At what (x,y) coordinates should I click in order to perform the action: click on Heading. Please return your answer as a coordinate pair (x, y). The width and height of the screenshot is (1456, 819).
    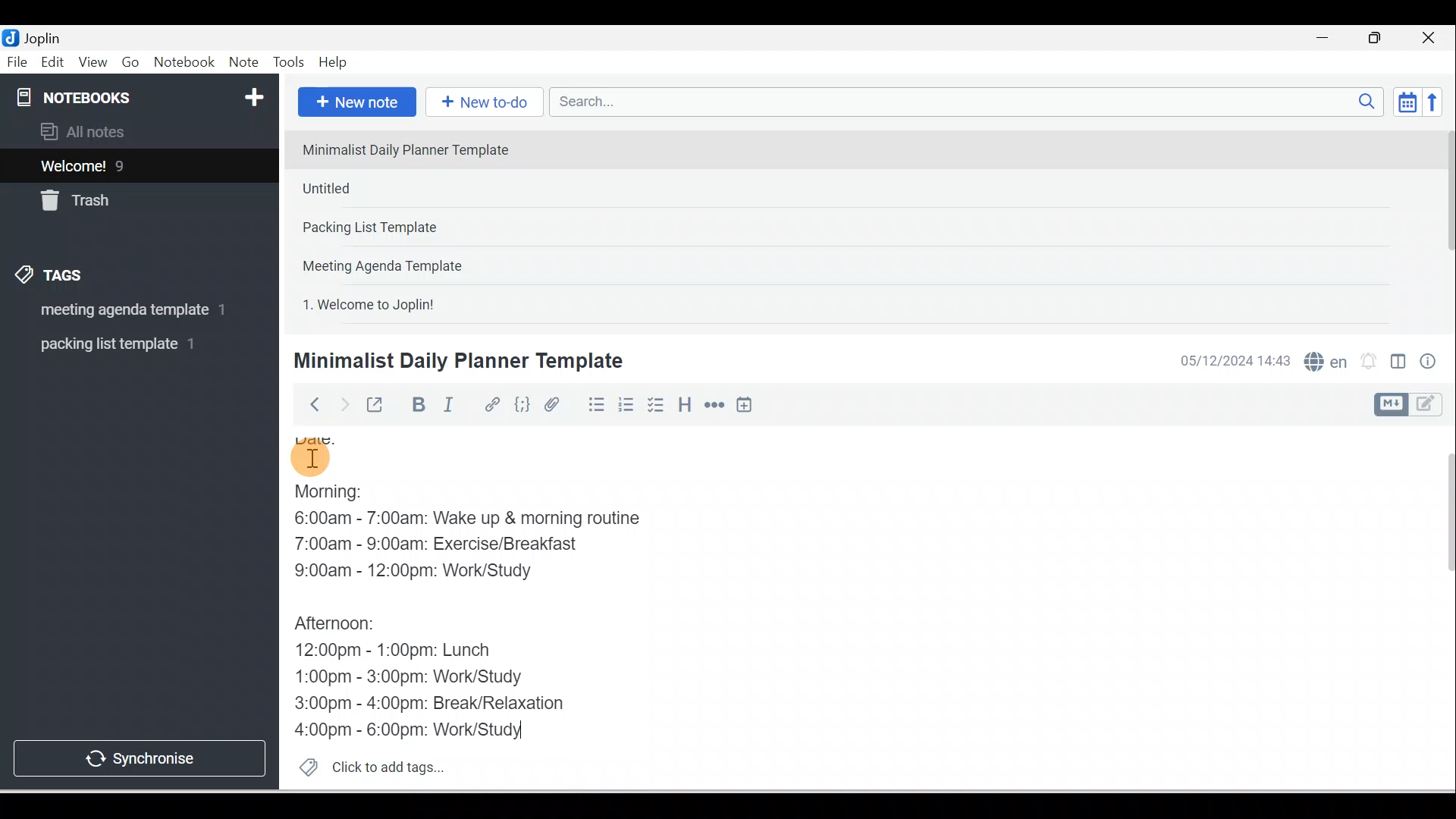
    Looking at the image, I should click on (684, 403).